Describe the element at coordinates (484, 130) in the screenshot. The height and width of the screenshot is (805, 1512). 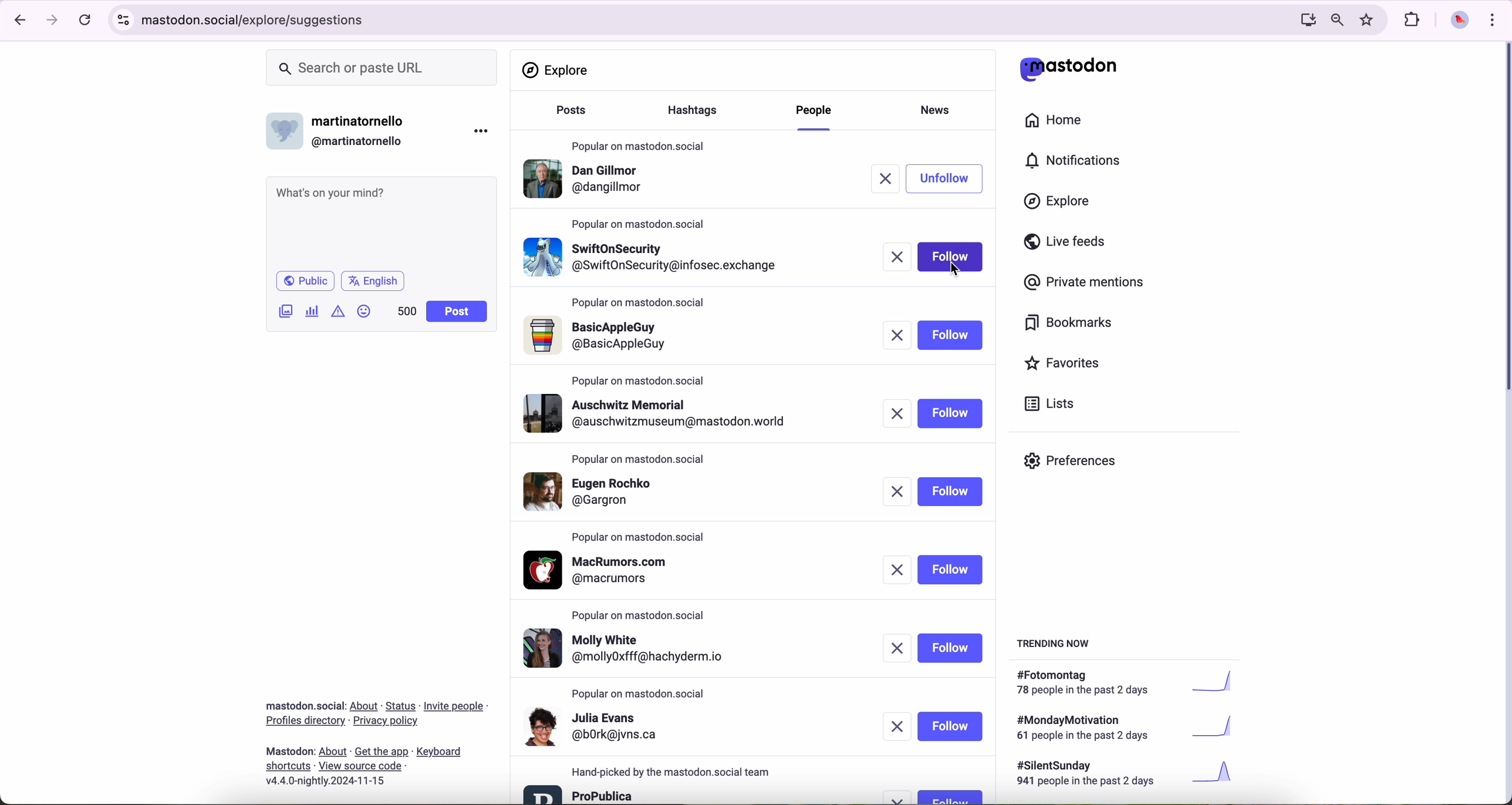
I see `more options` at that location.